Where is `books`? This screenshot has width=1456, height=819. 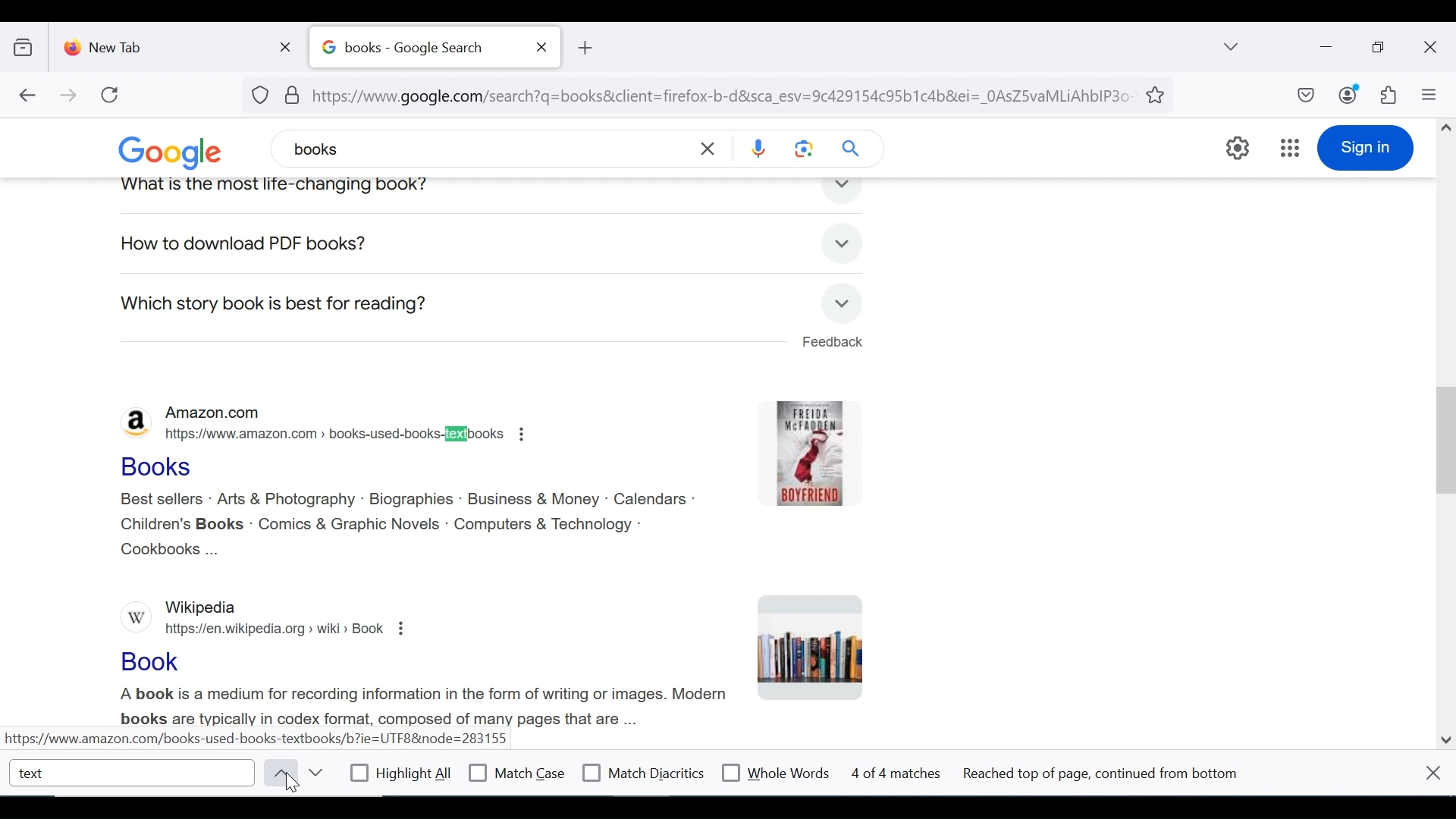 books is located at coordinates (264, 244).